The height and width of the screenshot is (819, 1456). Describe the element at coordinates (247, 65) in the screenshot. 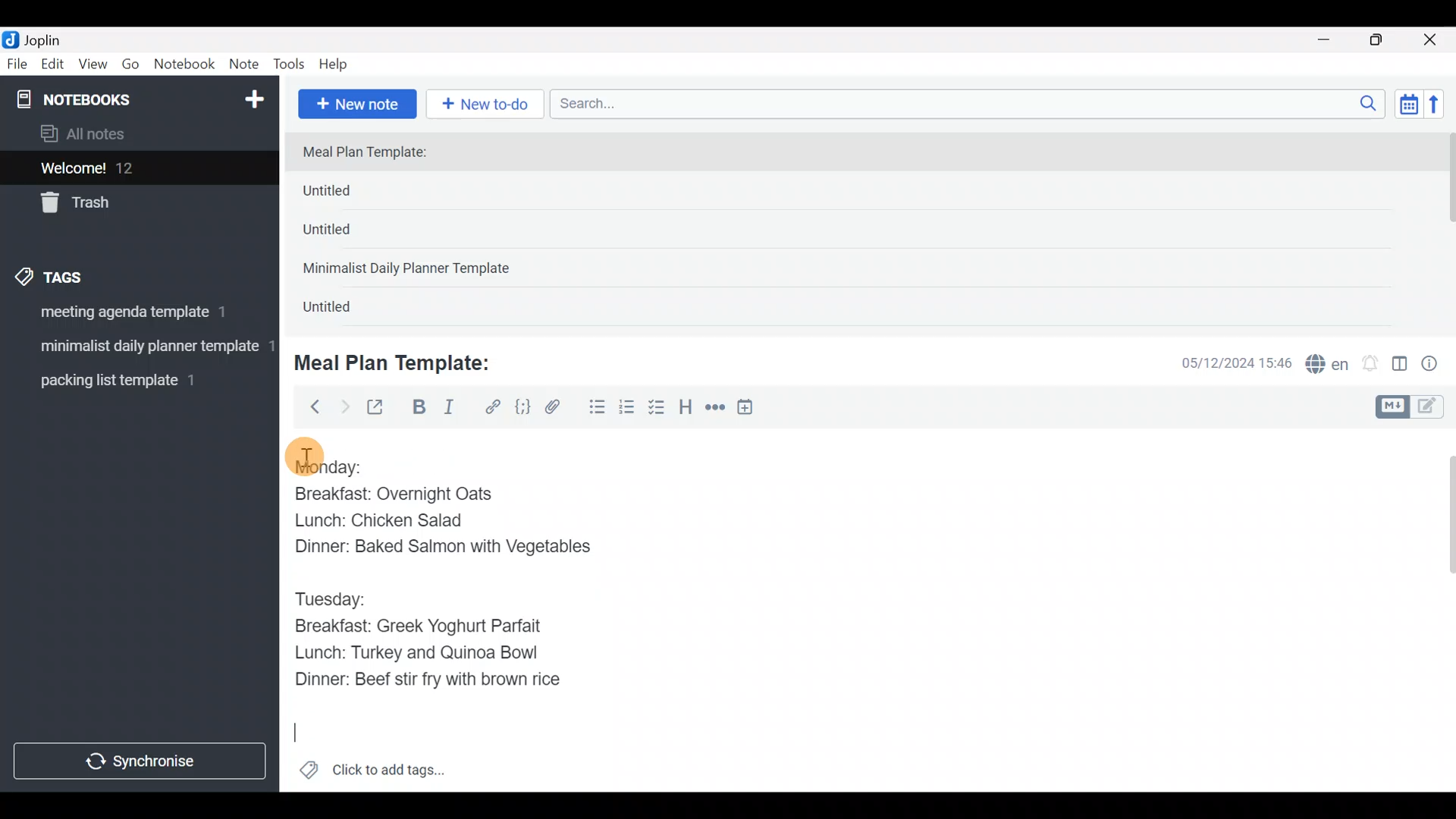

I see `Note` at that location.